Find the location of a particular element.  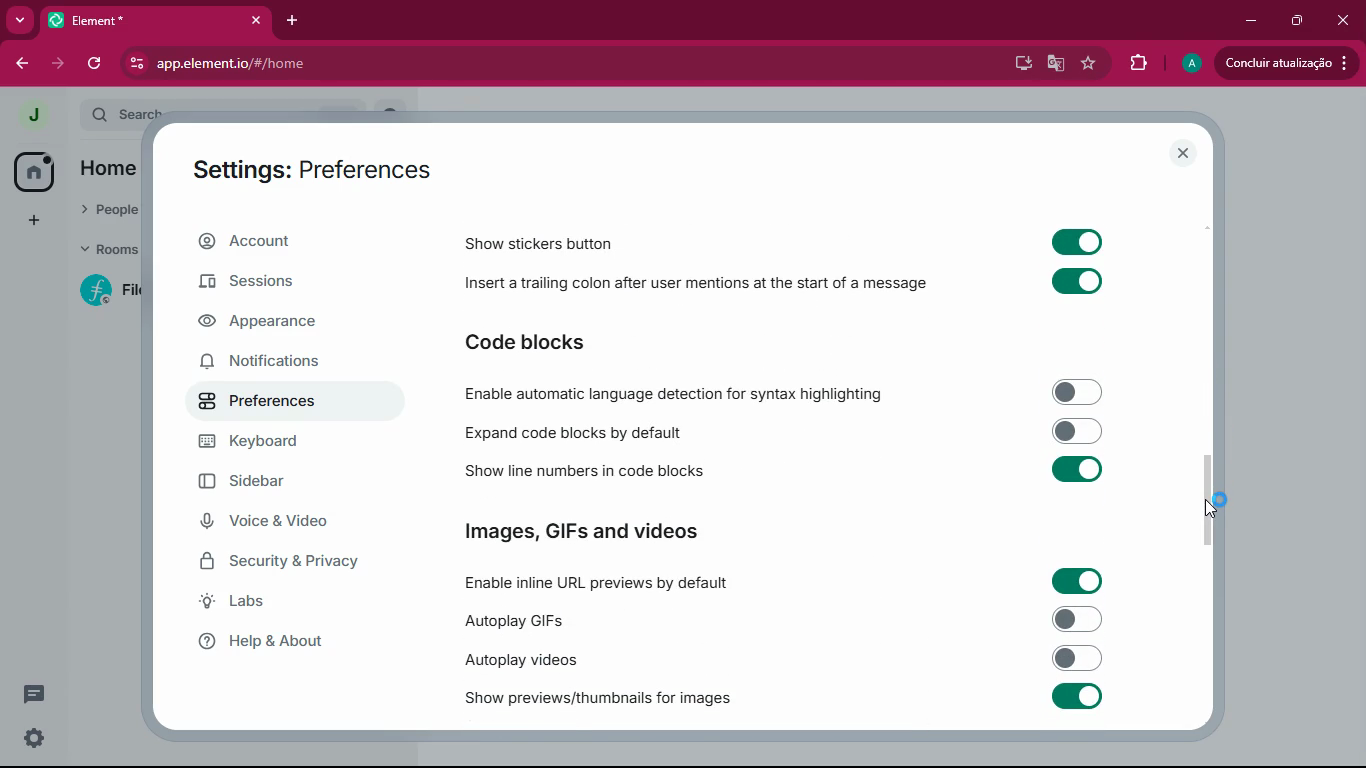

Toggle off is located at coordinates (1082, 619).